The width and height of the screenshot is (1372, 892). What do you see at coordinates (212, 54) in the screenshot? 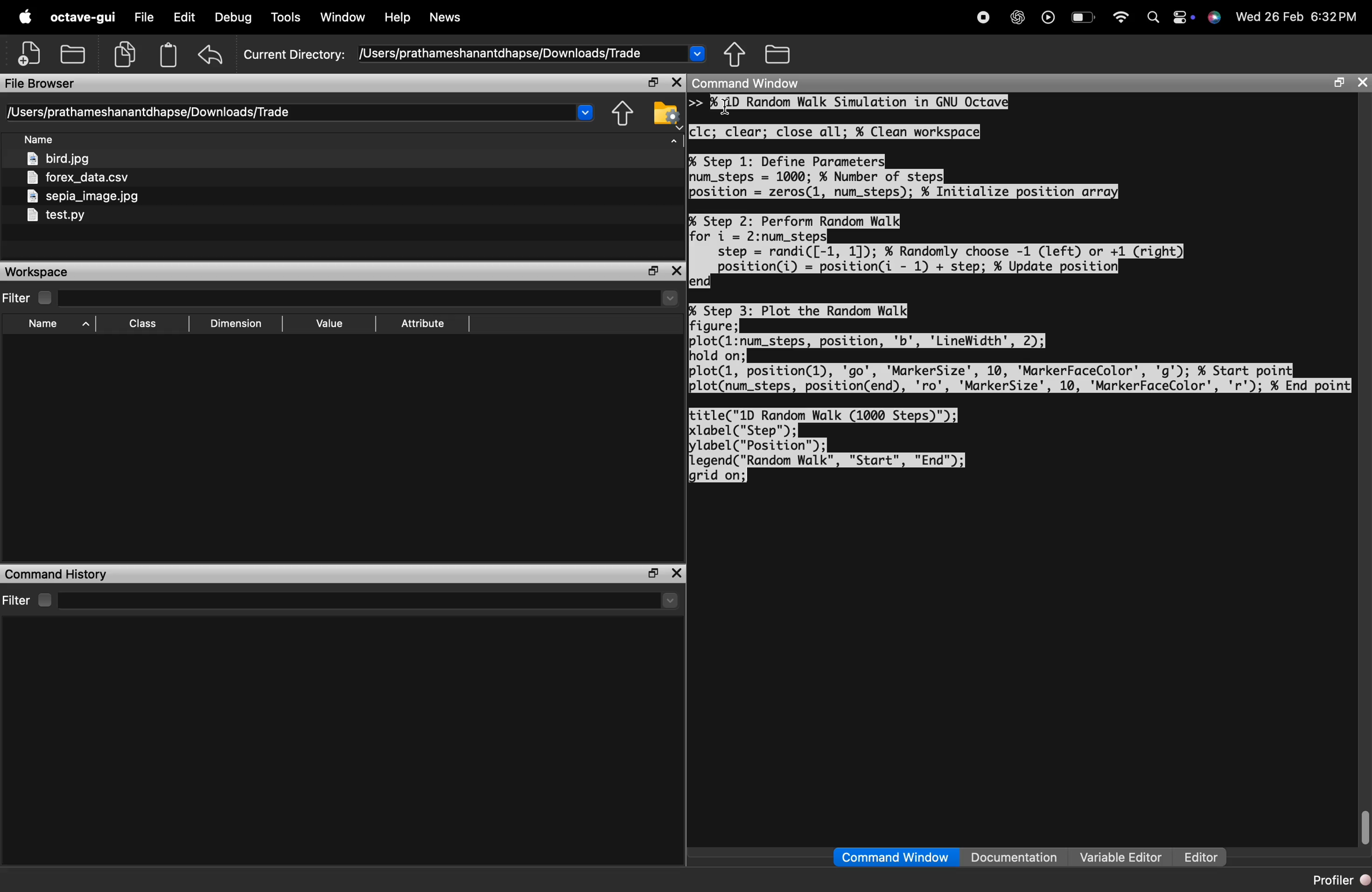
I see `undo` at bounding box center [212, 54].